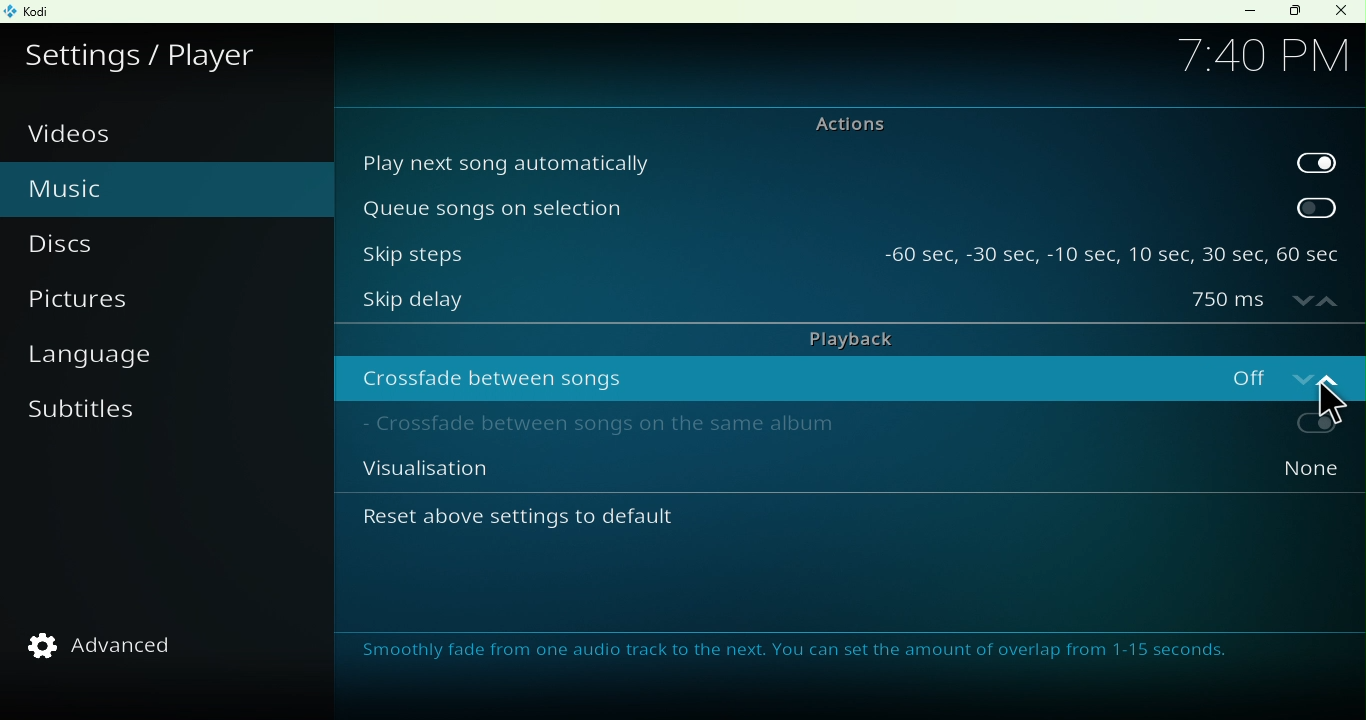 This screenshot has height=720, width=1366. I want to click on Play next song automatically, so click(811, 161).